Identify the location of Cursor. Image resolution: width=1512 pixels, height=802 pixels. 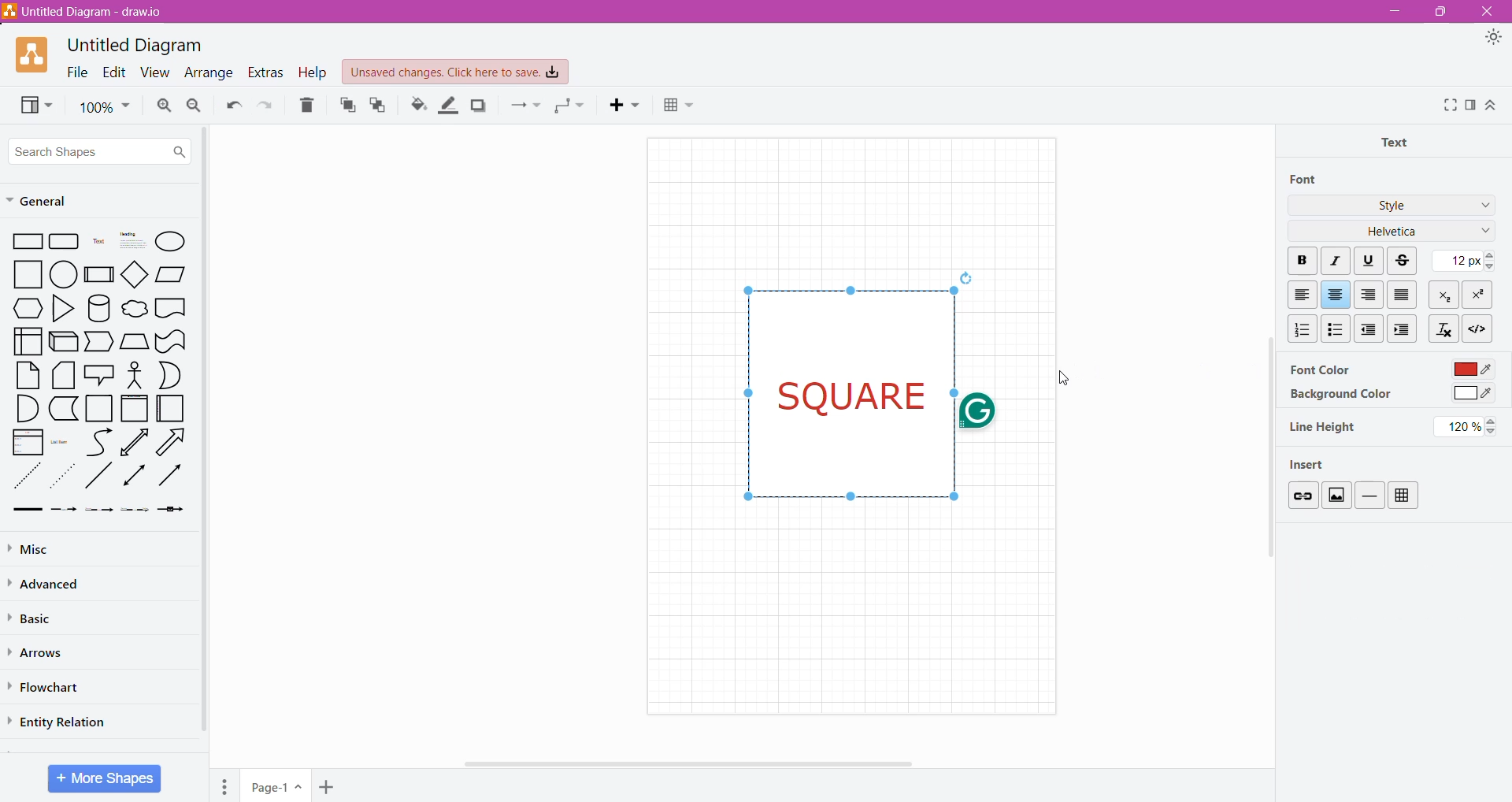
(1067, 378).